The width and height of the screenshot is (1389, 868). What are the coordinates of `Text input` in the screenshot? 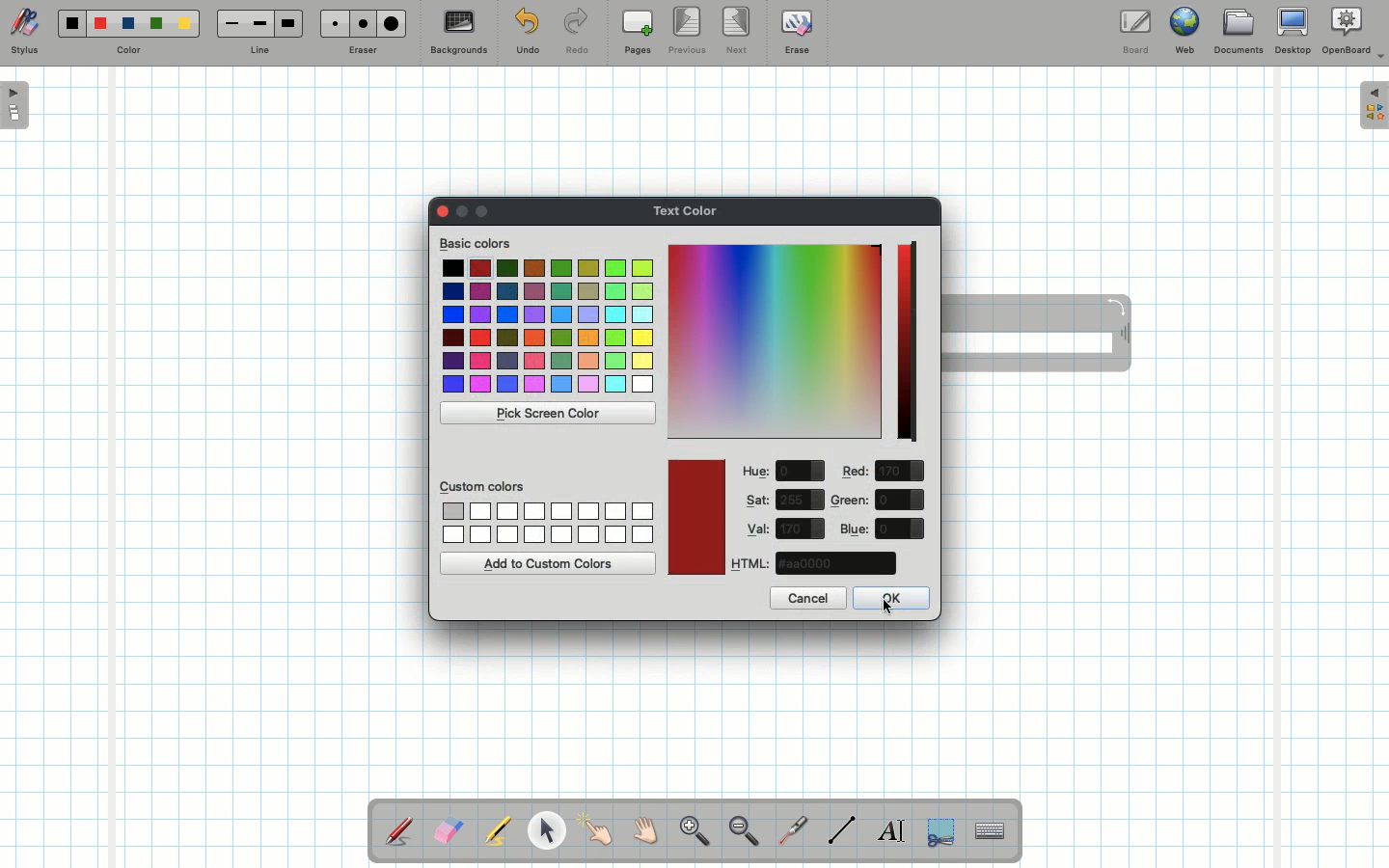 It's located at (991, 826).